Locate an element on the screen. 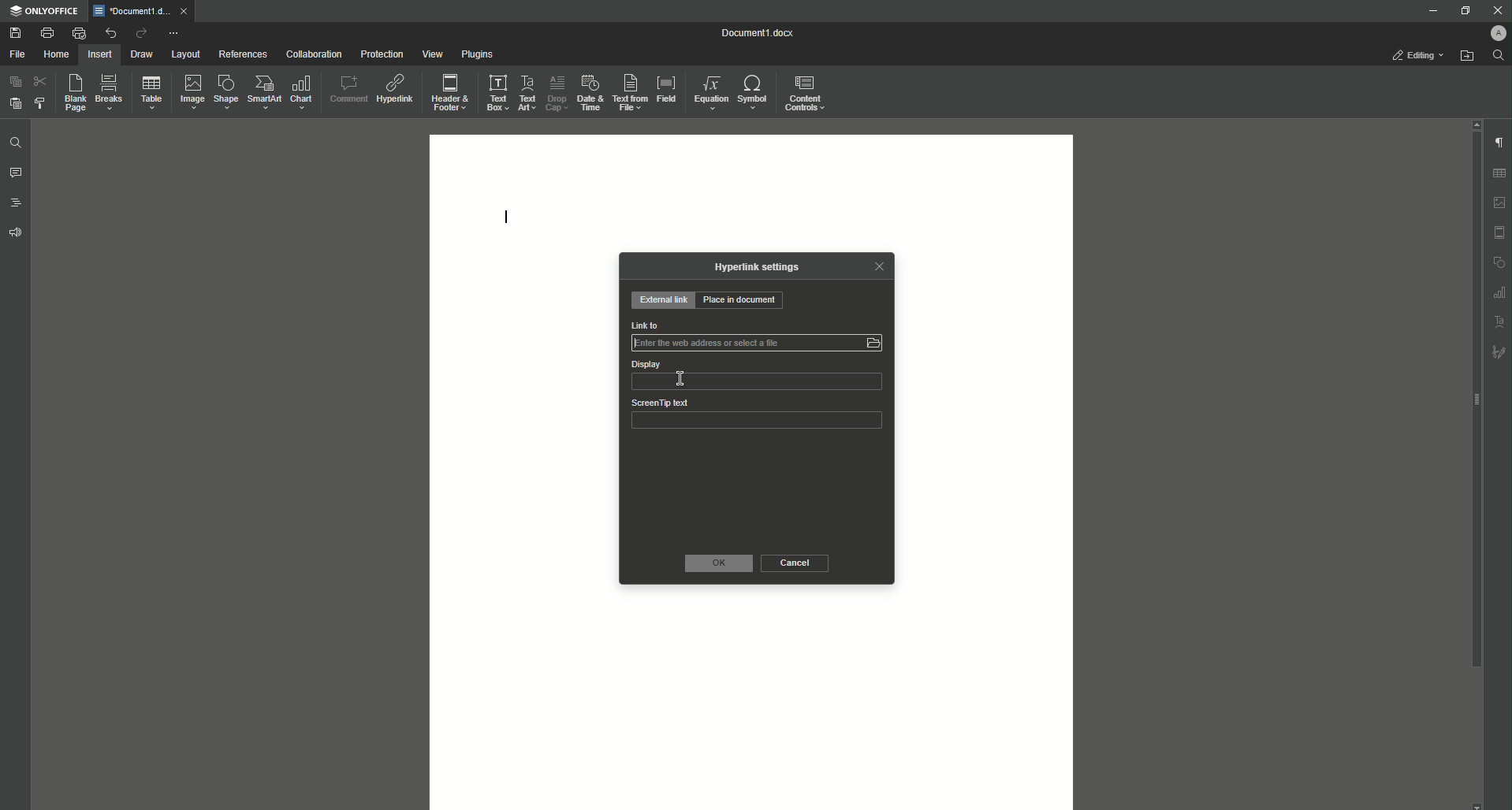  Text Box is located at coordinates (498, 92).